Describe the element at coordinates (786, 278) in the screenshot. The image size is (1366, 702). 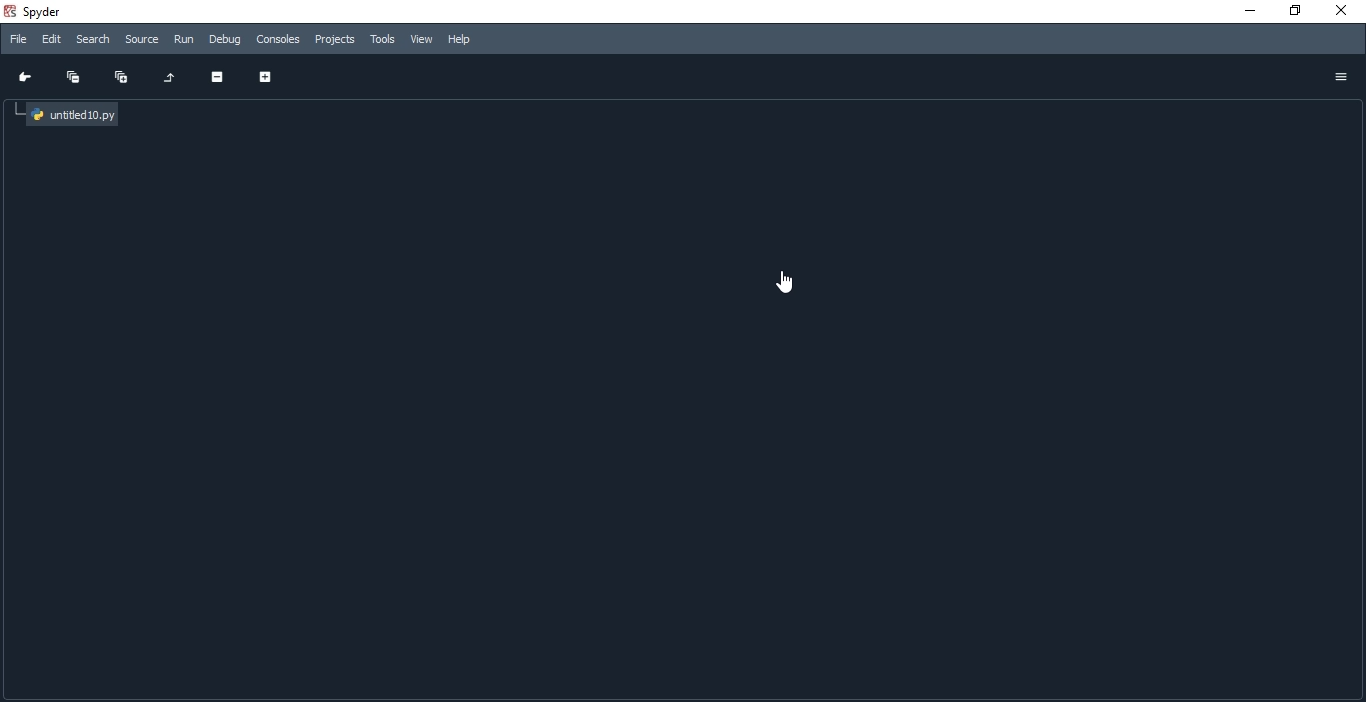
I see `cursor` at that location.